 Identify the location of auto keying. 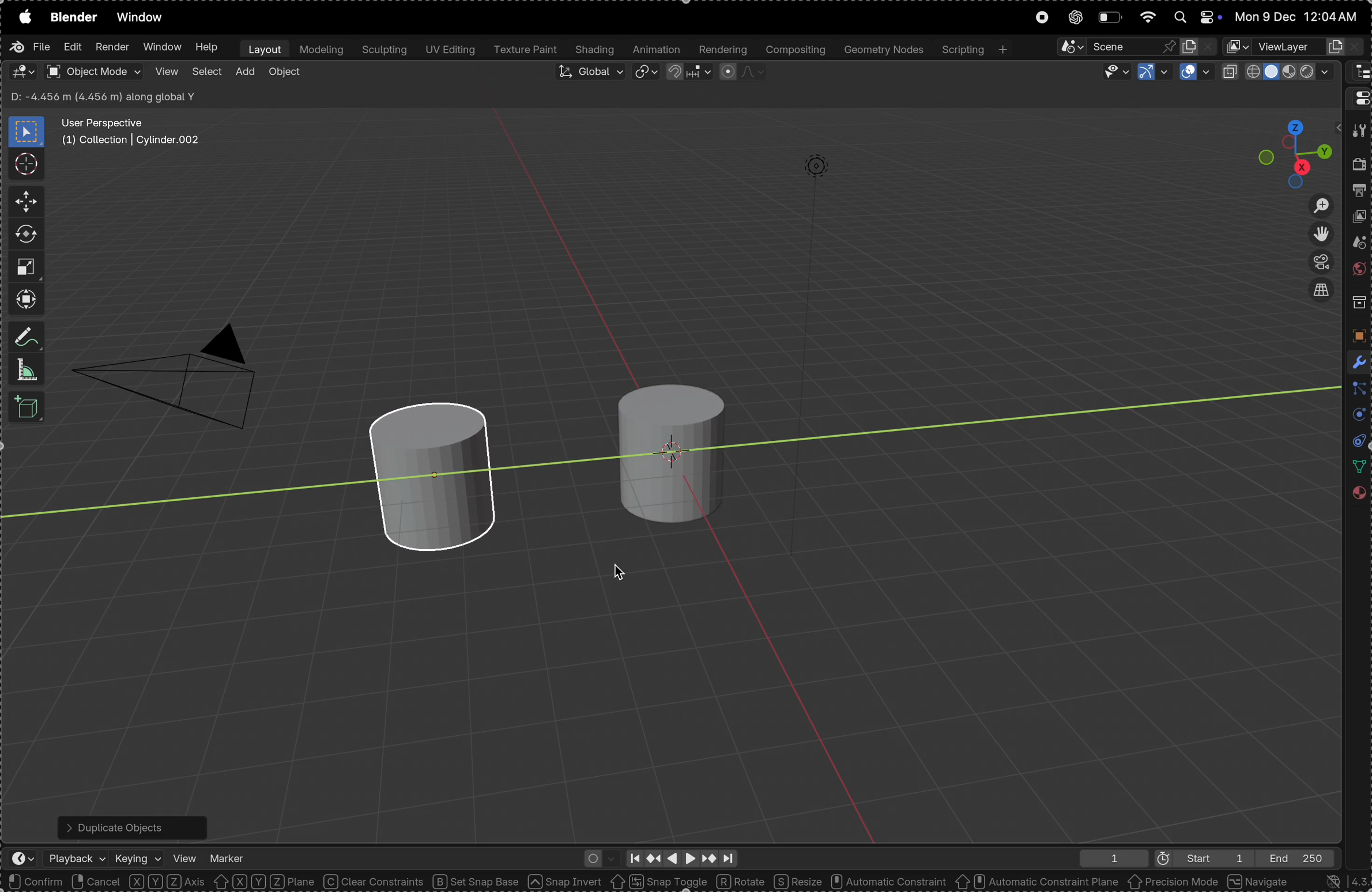
(597, 857).